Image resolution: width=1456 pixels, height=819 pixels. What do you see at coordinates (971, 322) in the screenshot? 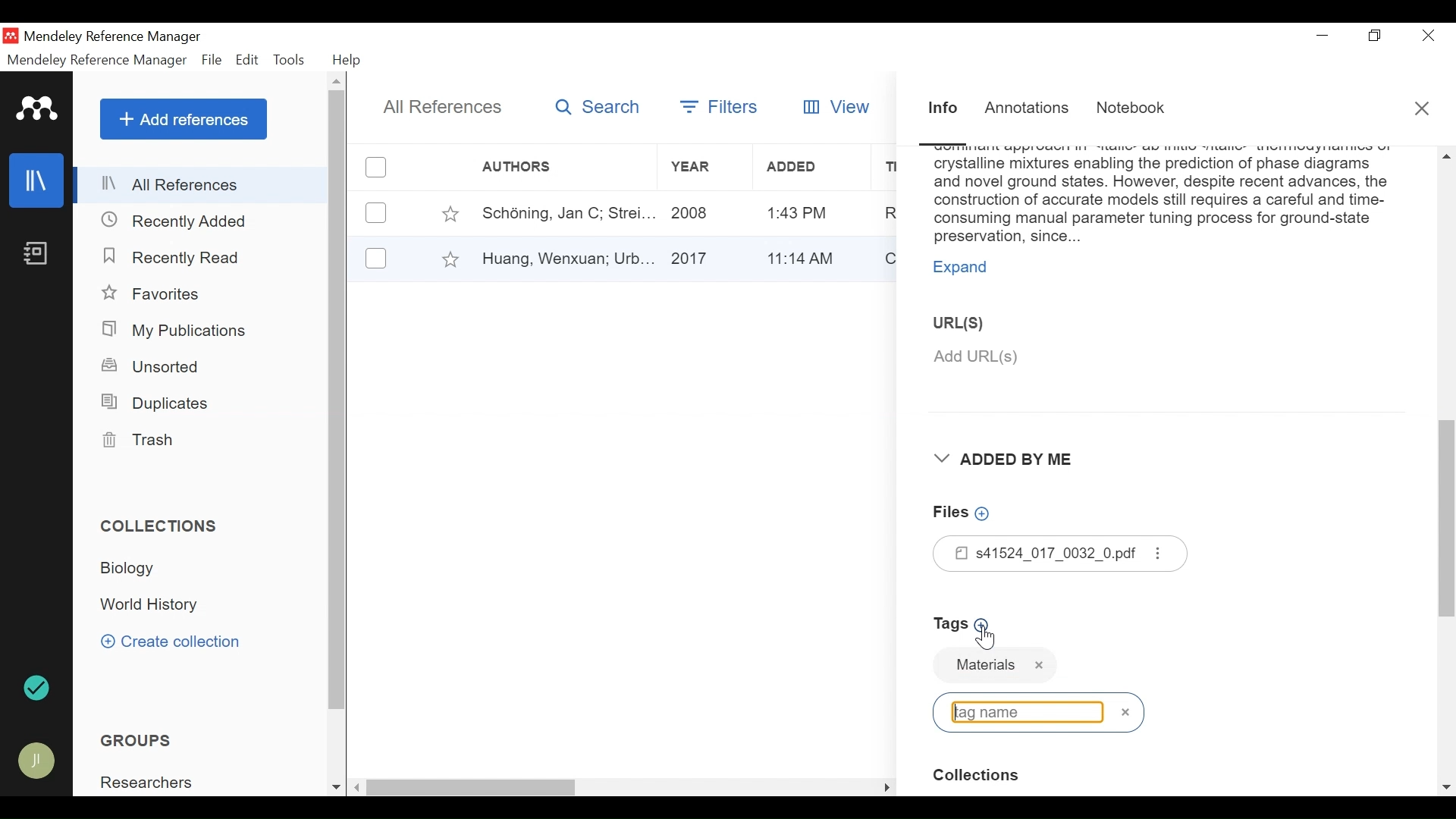
I see `URL(S)` at bounding box center [971, 322].